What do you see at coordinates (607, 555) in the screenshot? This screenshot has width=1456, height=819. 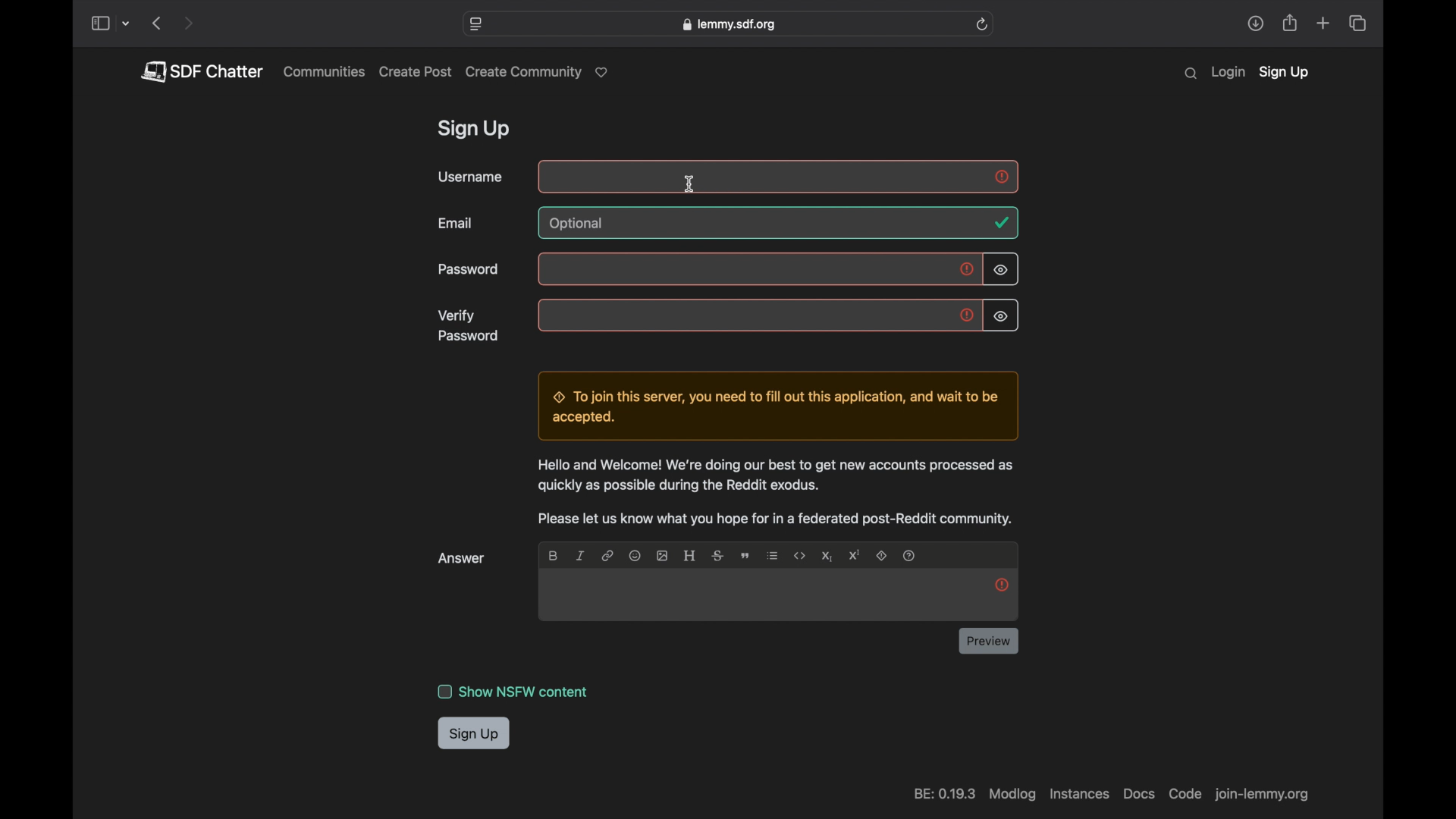 I see `link` at bounding box center [607, 555].